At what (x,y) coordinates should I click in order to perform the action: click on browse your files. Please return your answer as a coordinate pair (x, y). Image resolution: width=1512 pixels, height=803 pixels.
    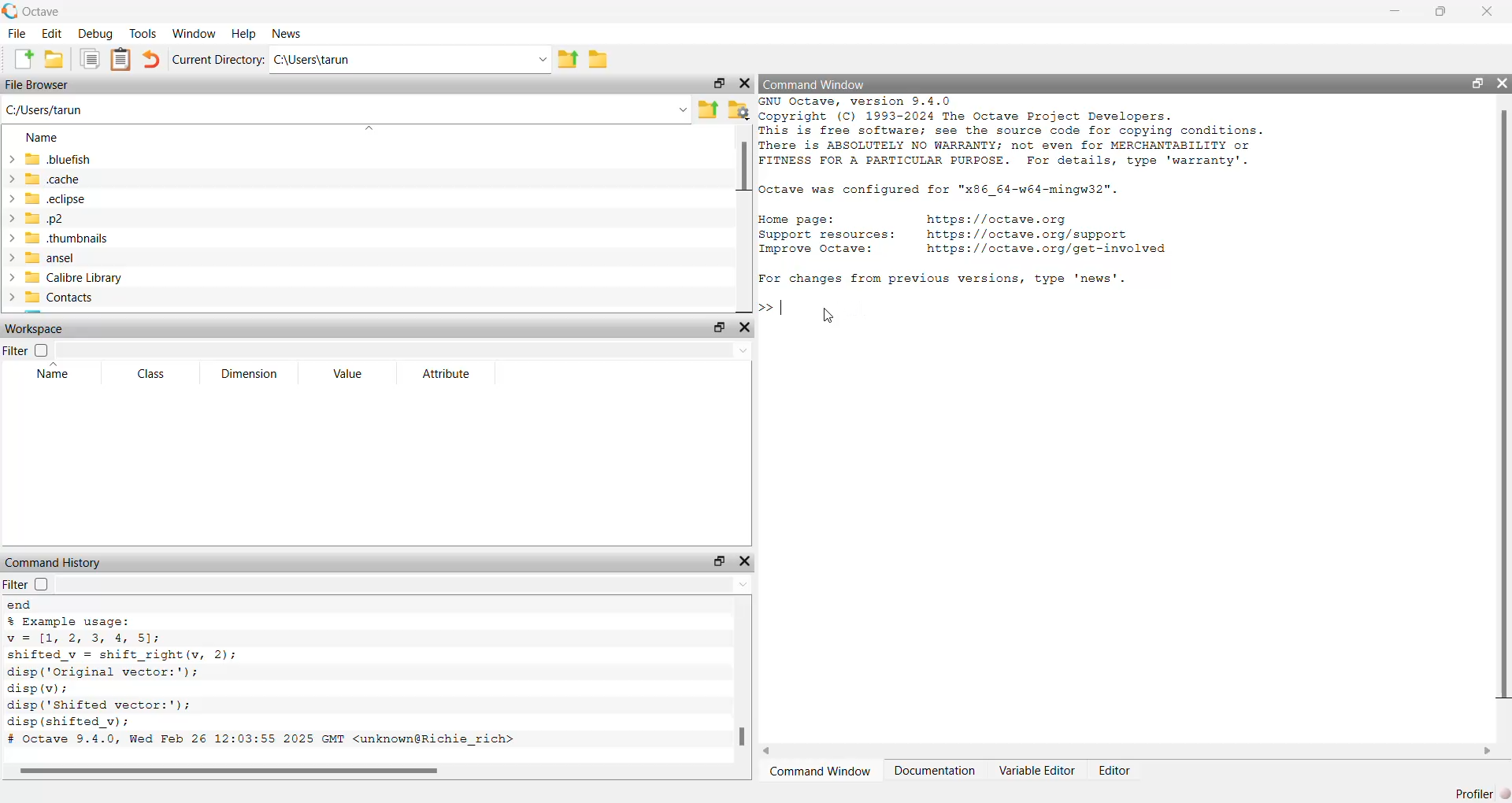
    Looking at the image, I should click on (739, 111).